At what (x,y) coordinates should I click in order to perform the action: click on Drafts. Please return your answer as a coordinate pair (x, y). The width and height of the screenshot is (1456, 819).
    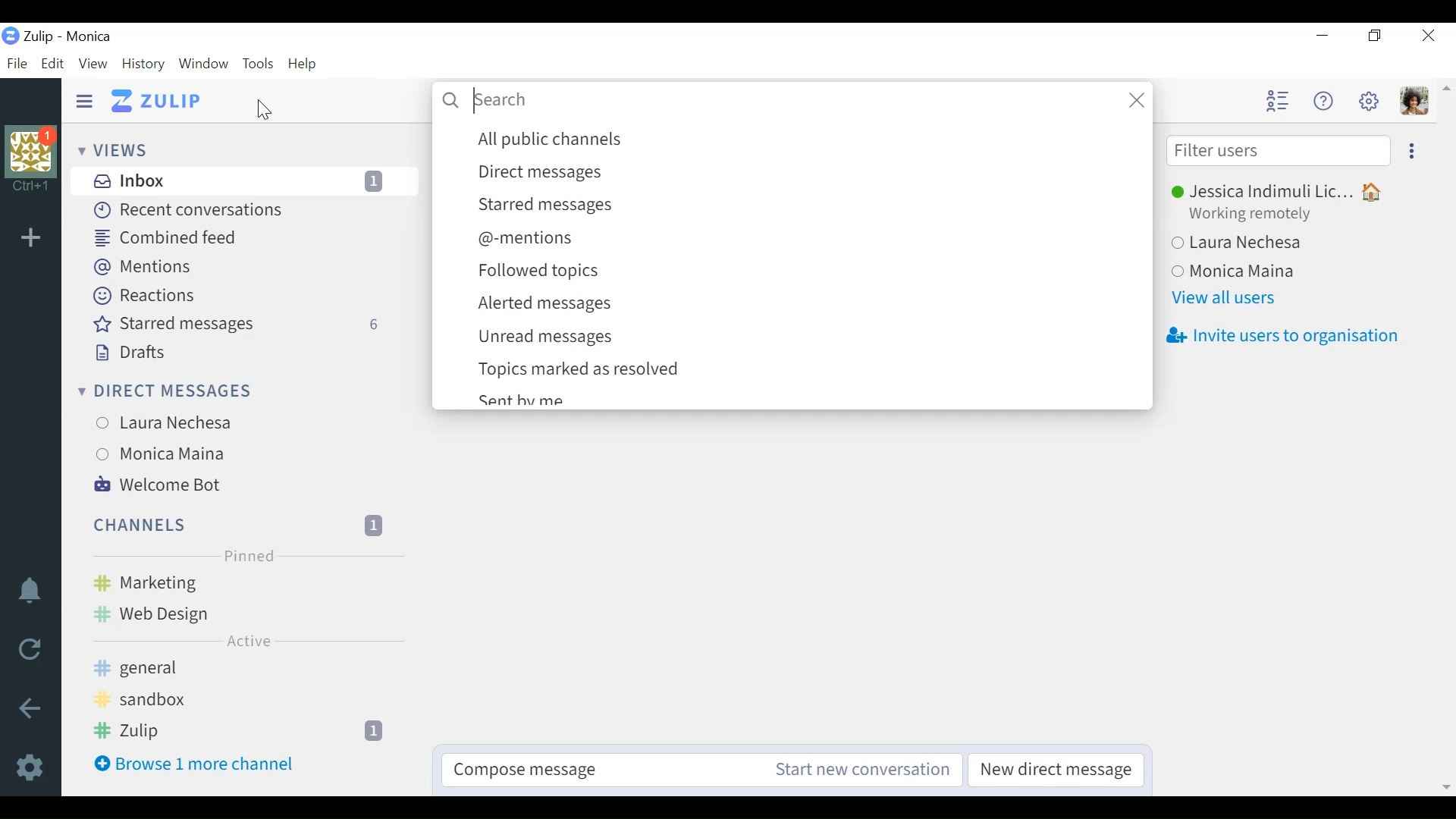
    Looking at the image, I should click on (126, 353).